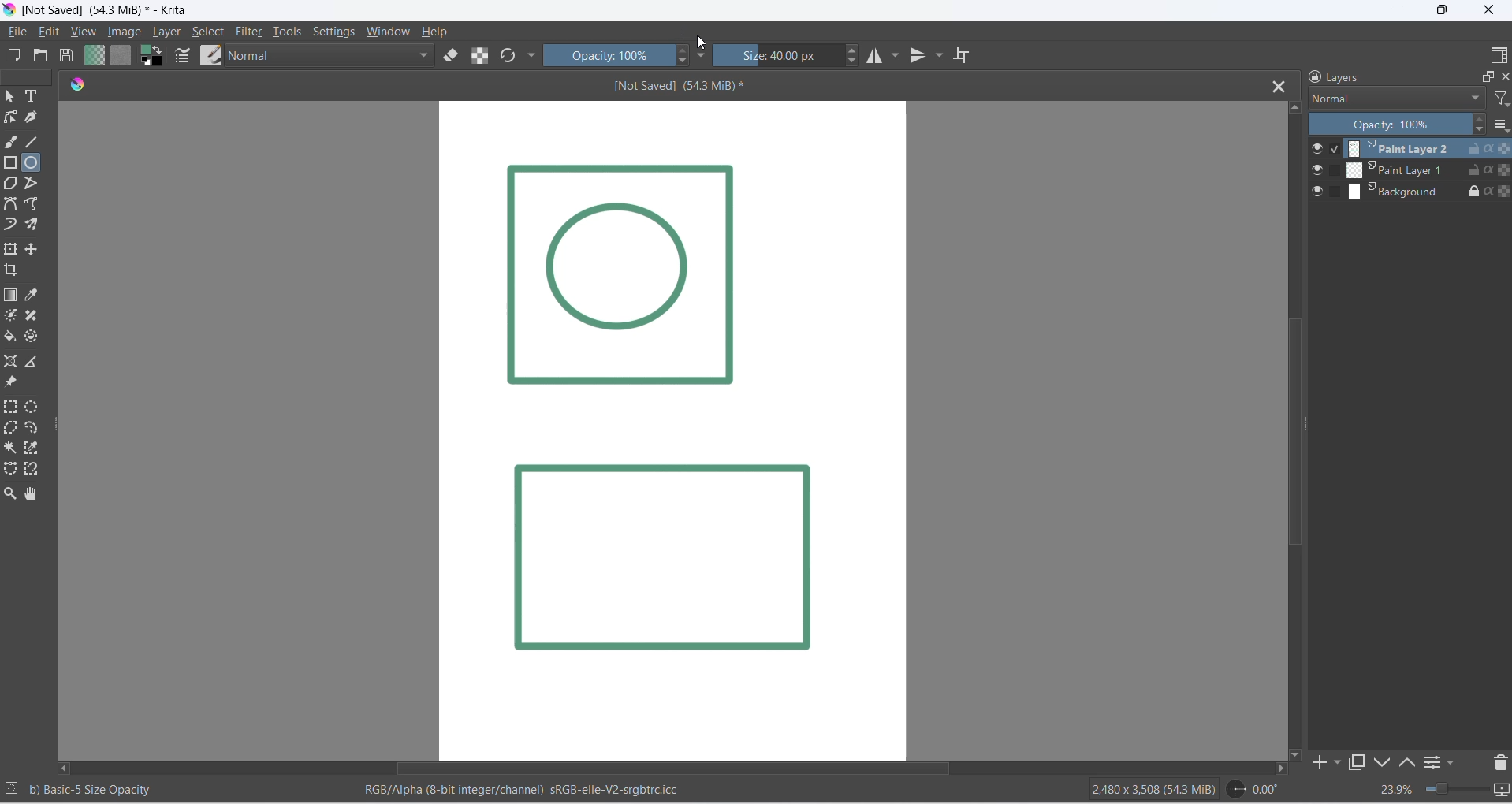 The image size is (1512, 804). Describe the element at coordinates (83, 33) in the screenshot. I see `view` at that location.